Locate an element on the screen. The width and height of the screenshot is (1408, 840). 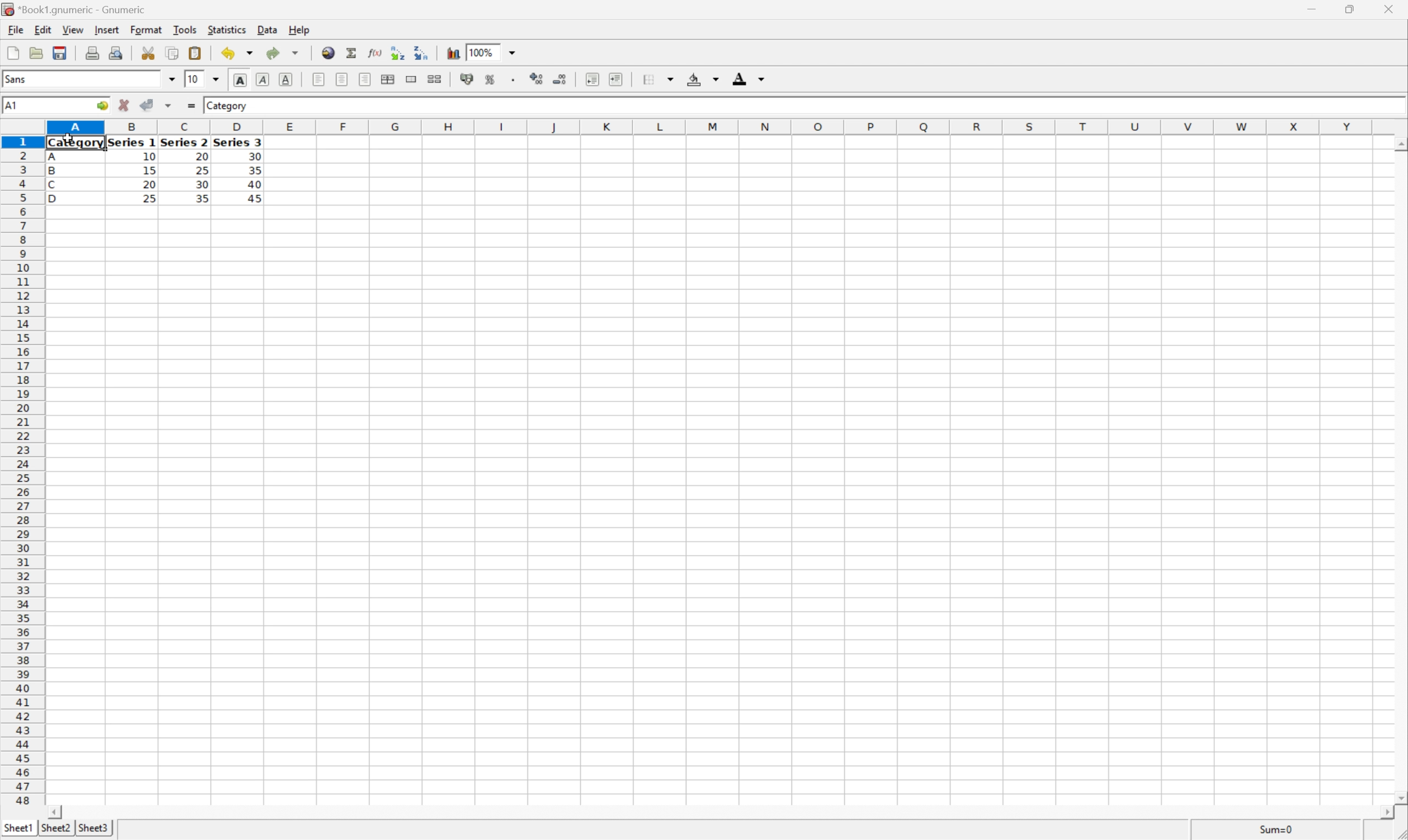
Center horizontally is located at coordinates (343, 78).